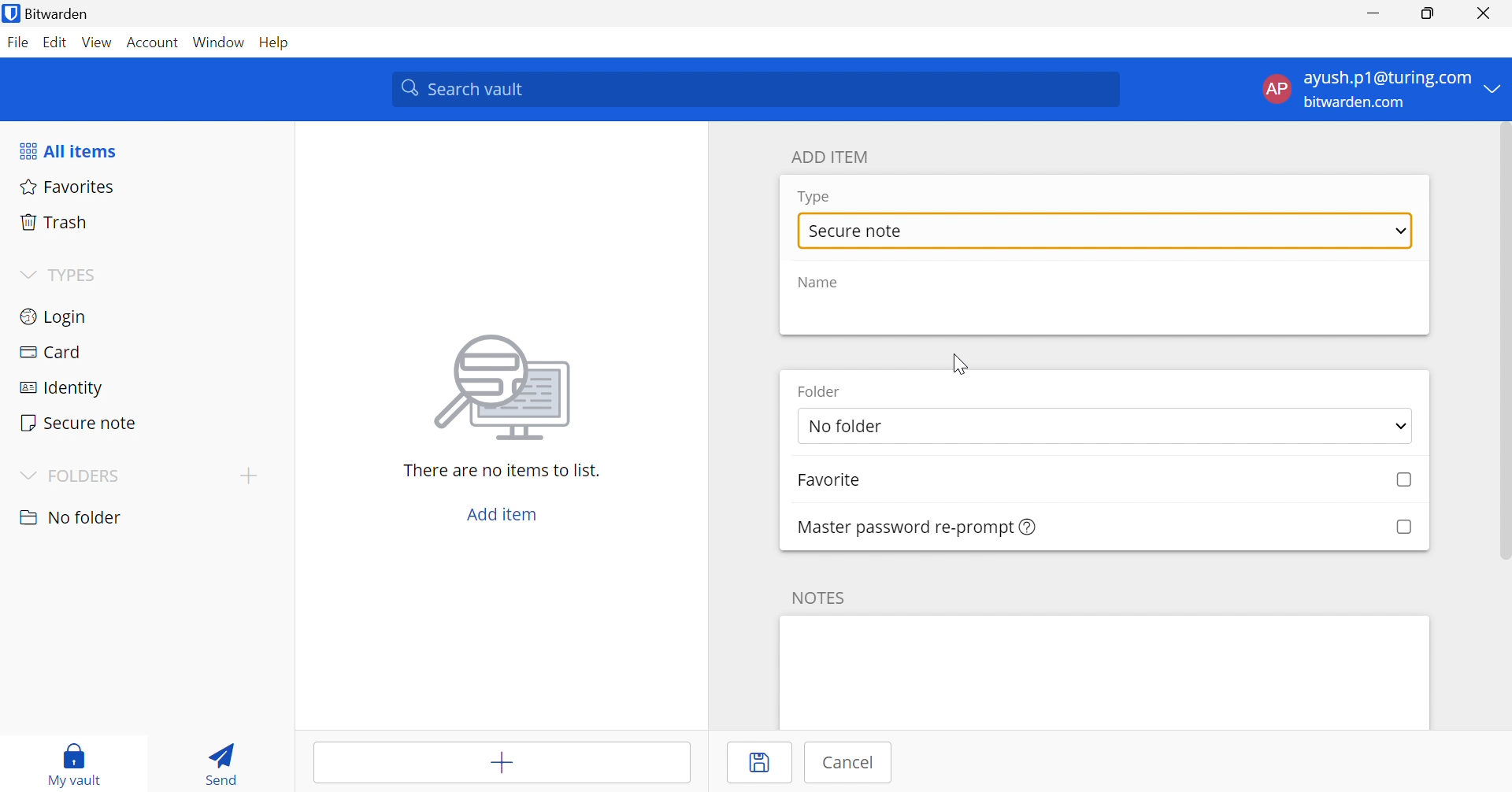  What do you see at coordinates (18, 43) in the screenshot?
I see `File` at bounding box center [18, 43].